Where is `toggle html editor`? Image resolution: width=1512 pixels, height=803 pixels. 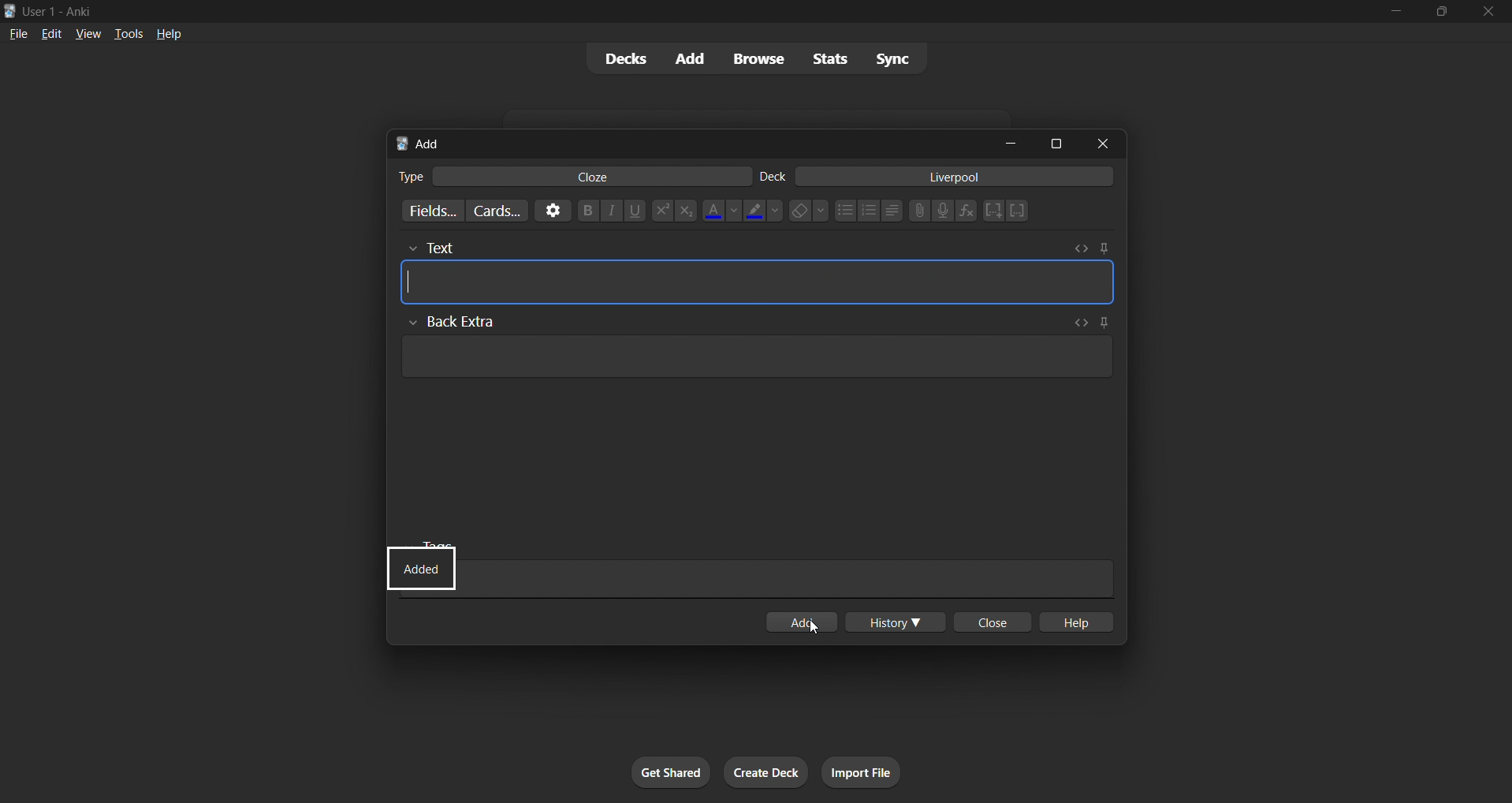 toggle html editor is located at coordinates (1081, 322).